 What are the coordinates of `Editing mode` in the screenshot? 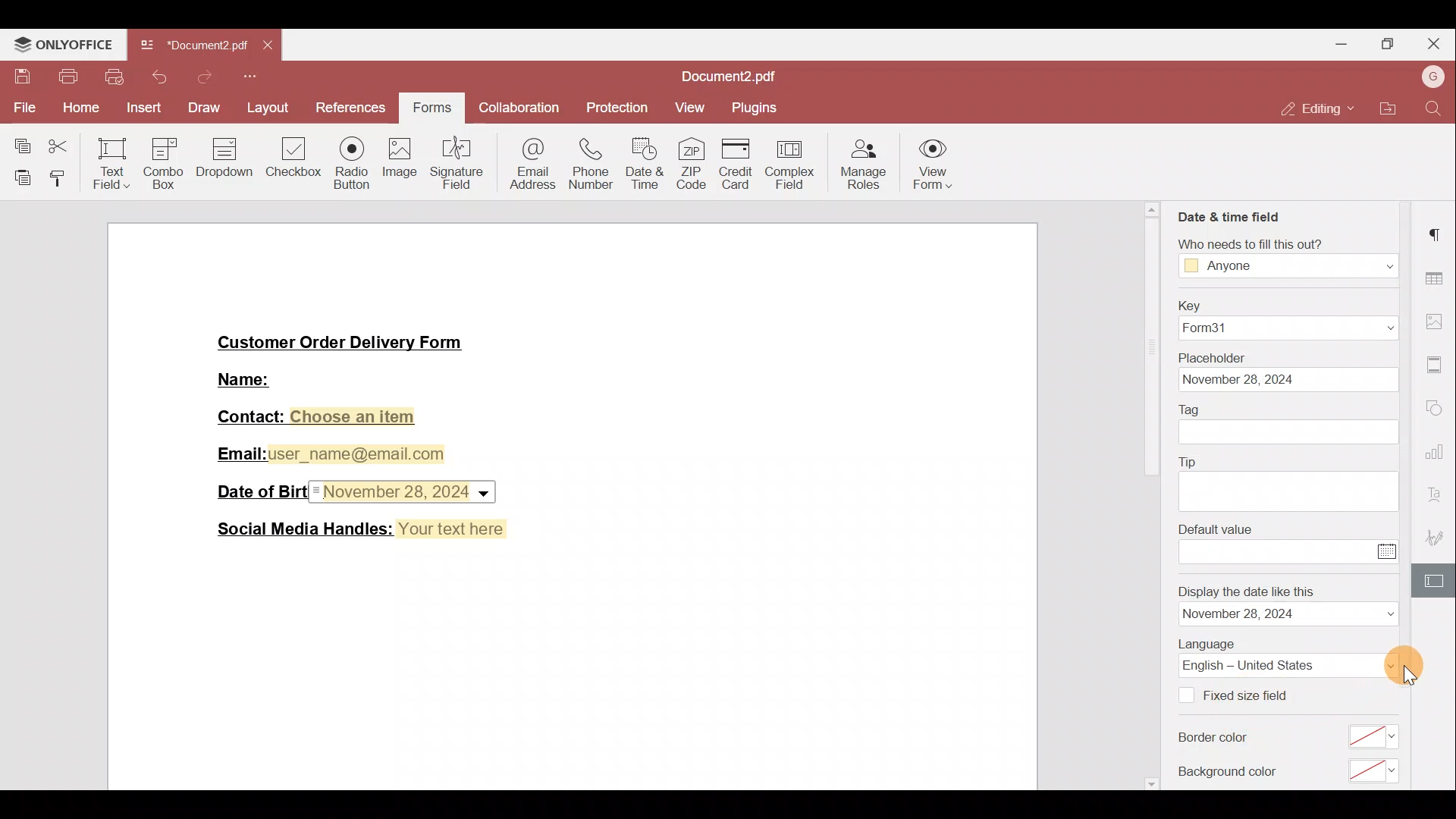 It's located at (1313, 108).